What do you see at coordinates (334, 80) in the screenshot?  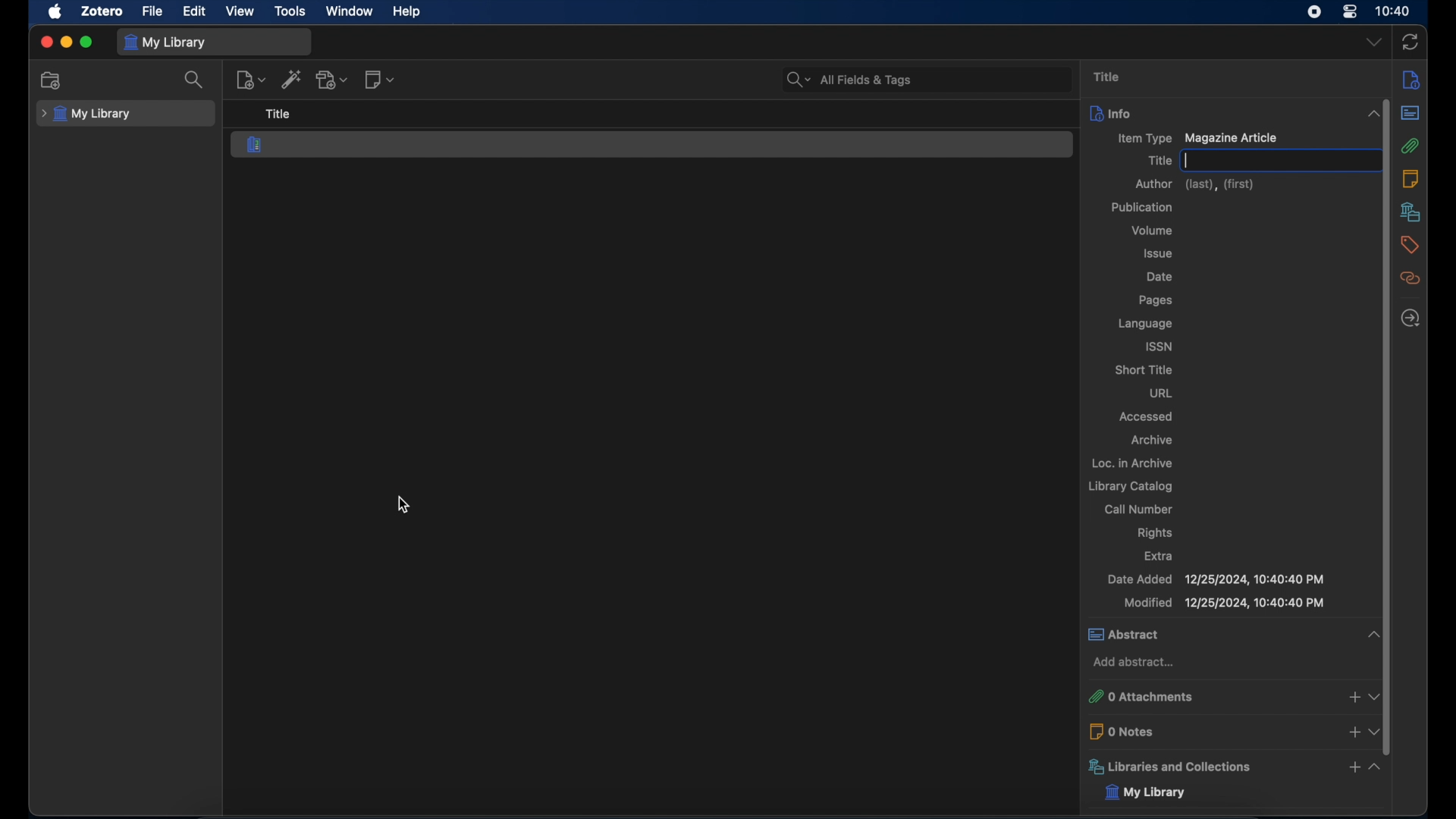 I see `add attachment` at bounding box center [334, 80].